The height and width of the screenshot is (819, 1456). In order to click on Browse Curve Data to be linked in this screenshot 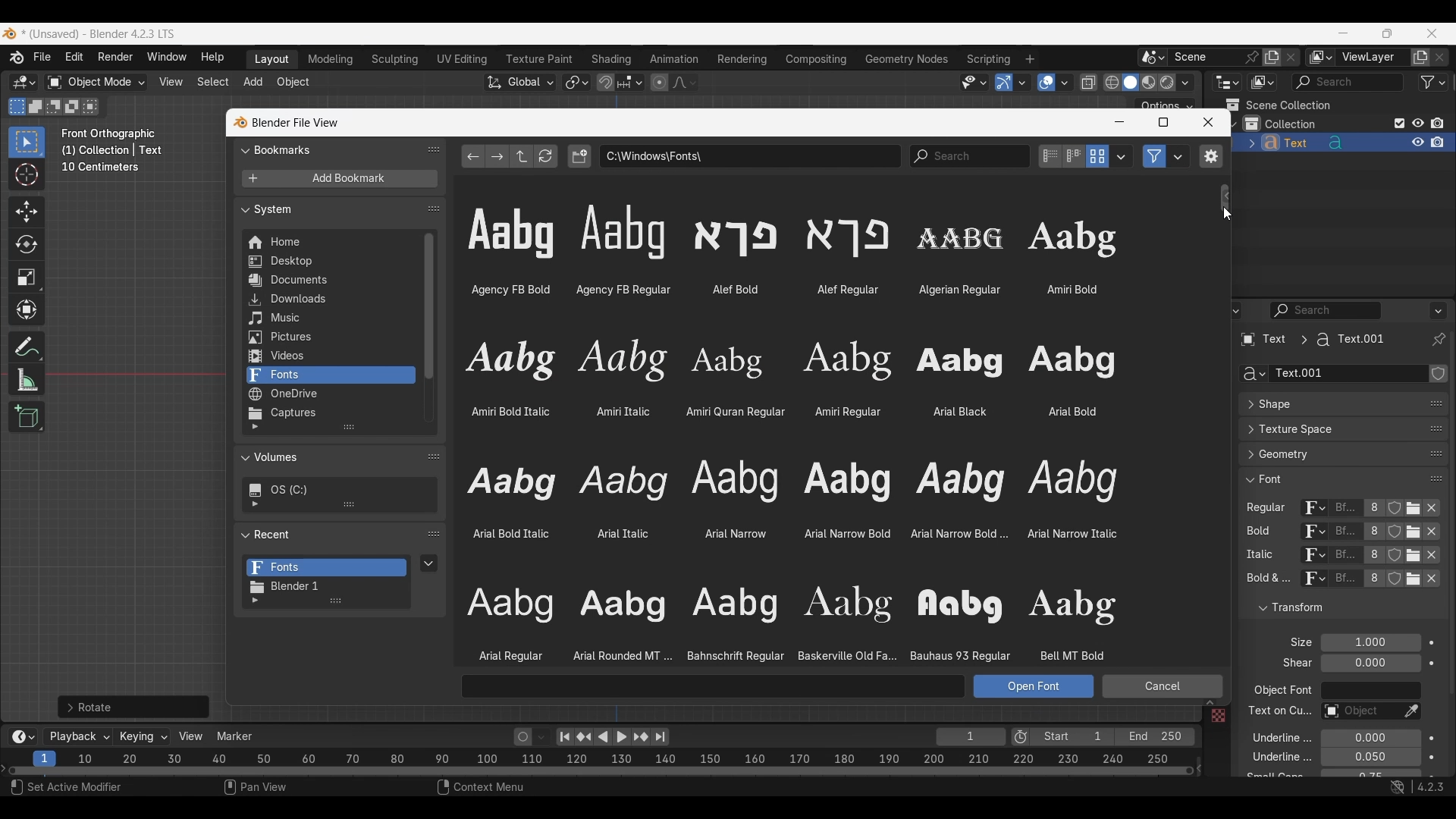, I will do `click(1252, 374)`.